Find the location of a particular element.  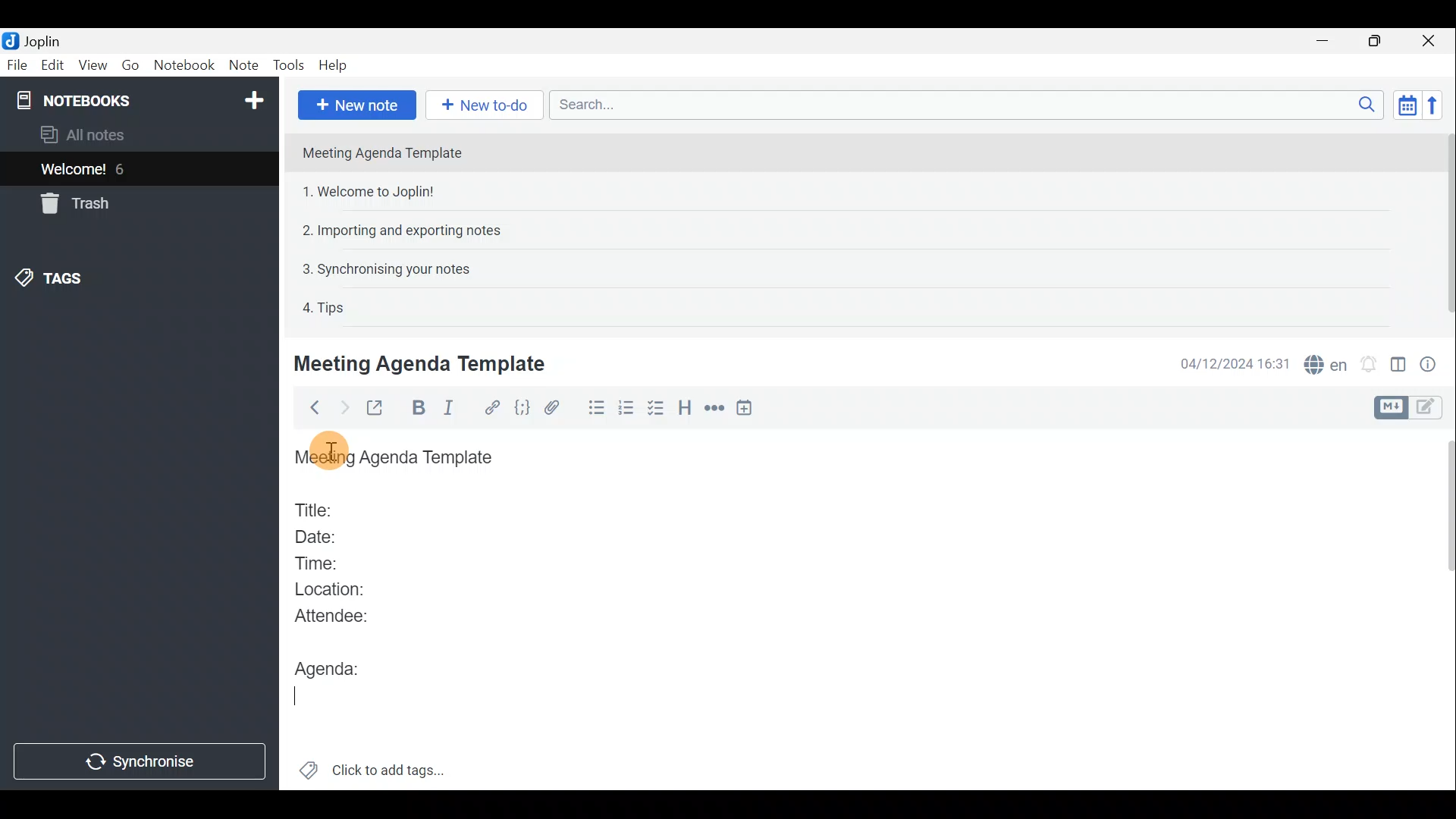

Meeting Agenda Template is located at coordinates (422, 363).